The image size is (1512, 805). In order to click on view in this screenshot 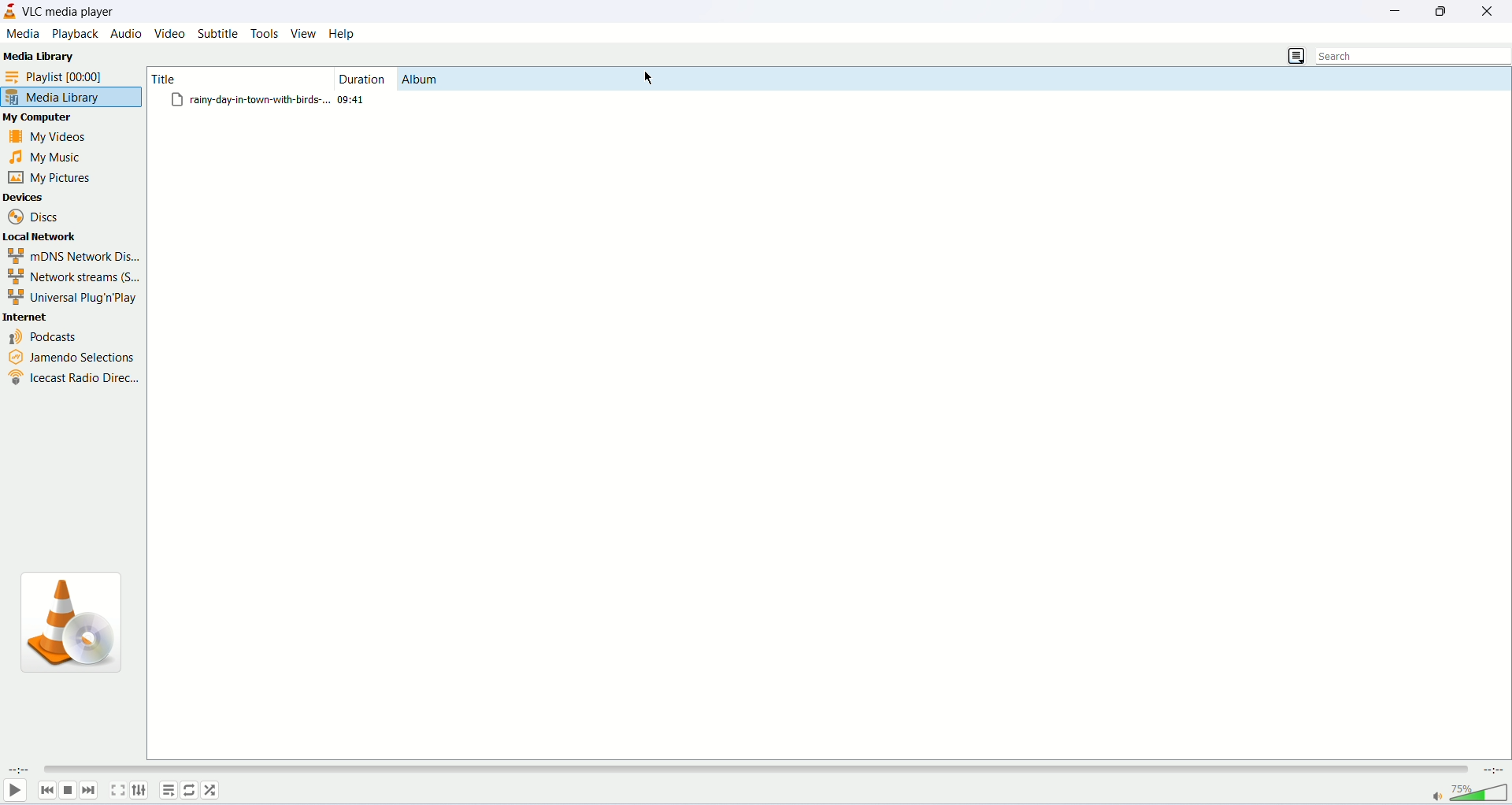, I will do `click(302, 32)`.